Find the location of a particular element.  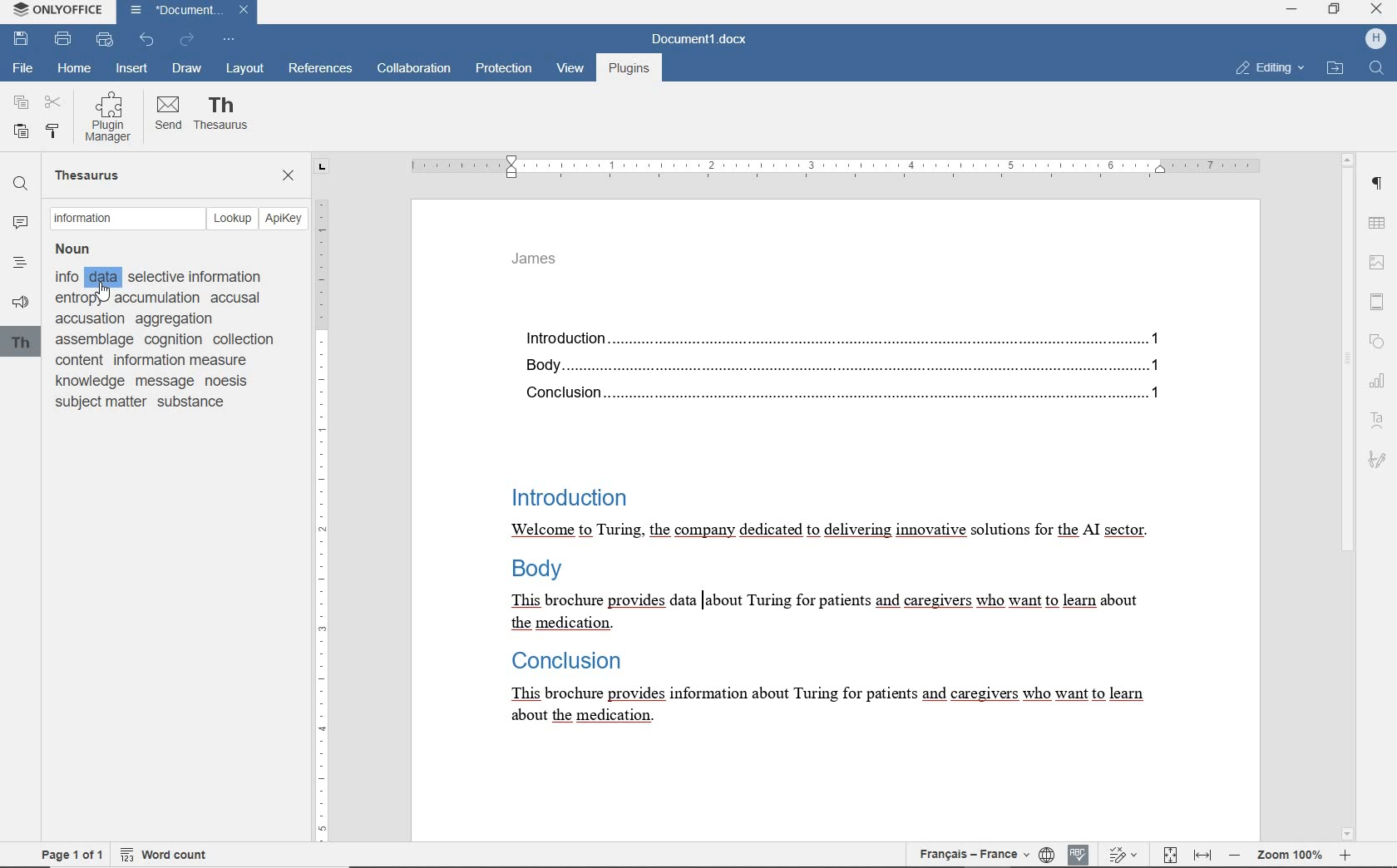

CURSOR AFTER DRAG is located at coordinates (700, 608).